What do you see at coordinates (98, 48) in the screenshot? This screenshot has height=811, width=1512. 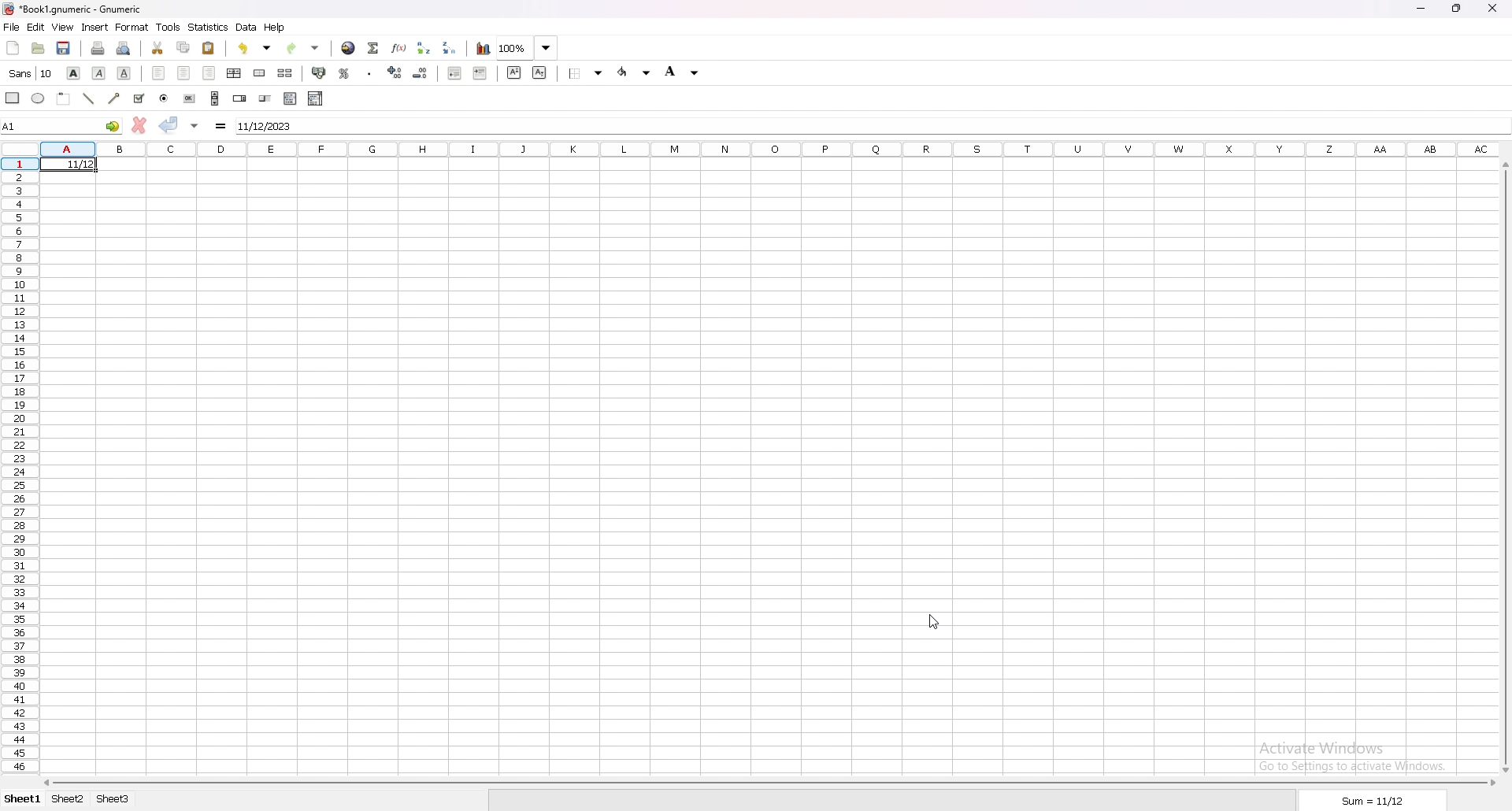 I see `print` at bounding box center [98, 48].